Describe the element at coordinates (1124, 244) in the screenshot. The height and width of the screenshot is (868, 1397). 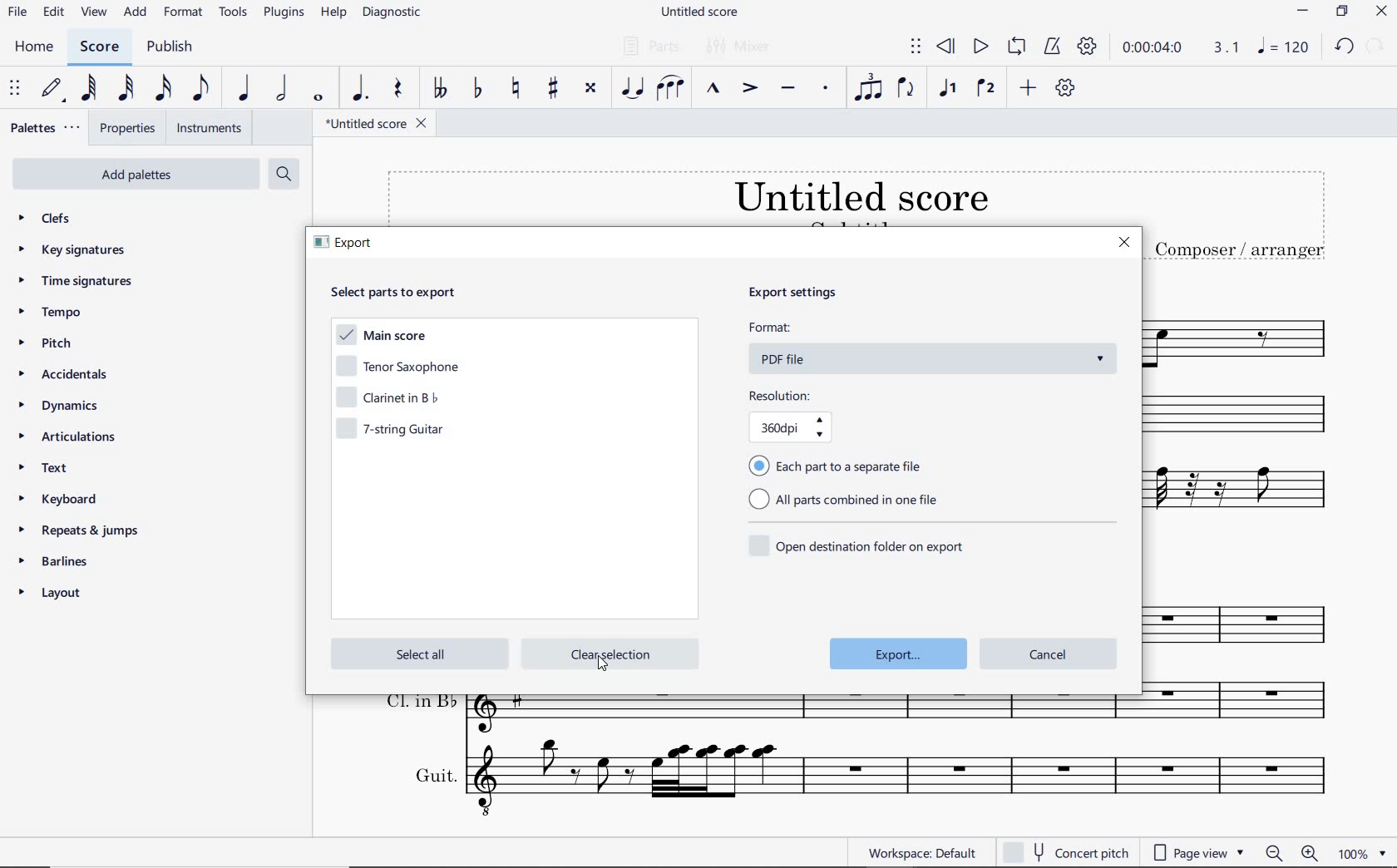
I see `close` at that location.